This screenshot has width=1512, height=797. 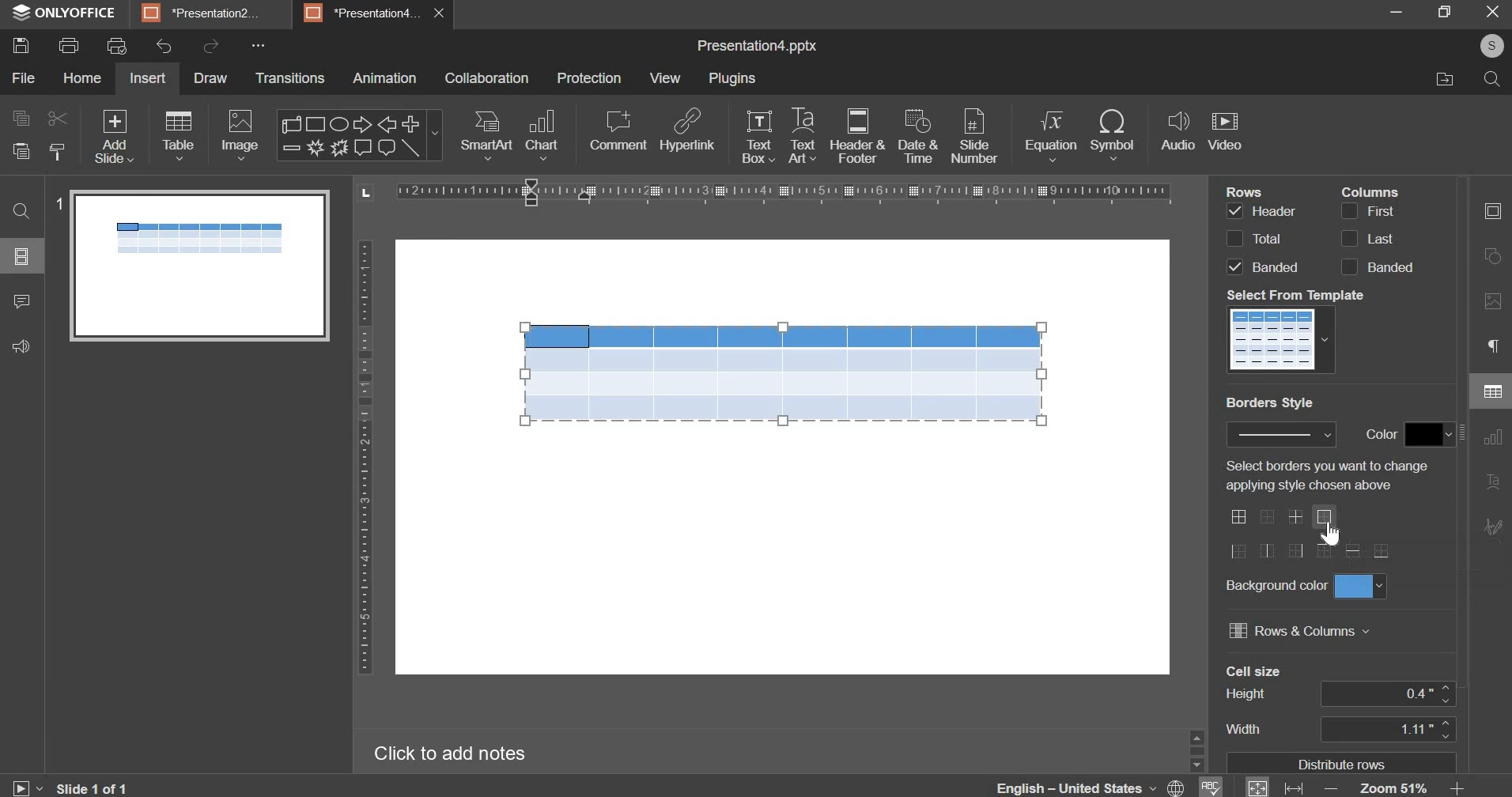 What do you see at coordinates (917, 135) in the screenshot?
I see `date & time` at bounding box center [917, 135].